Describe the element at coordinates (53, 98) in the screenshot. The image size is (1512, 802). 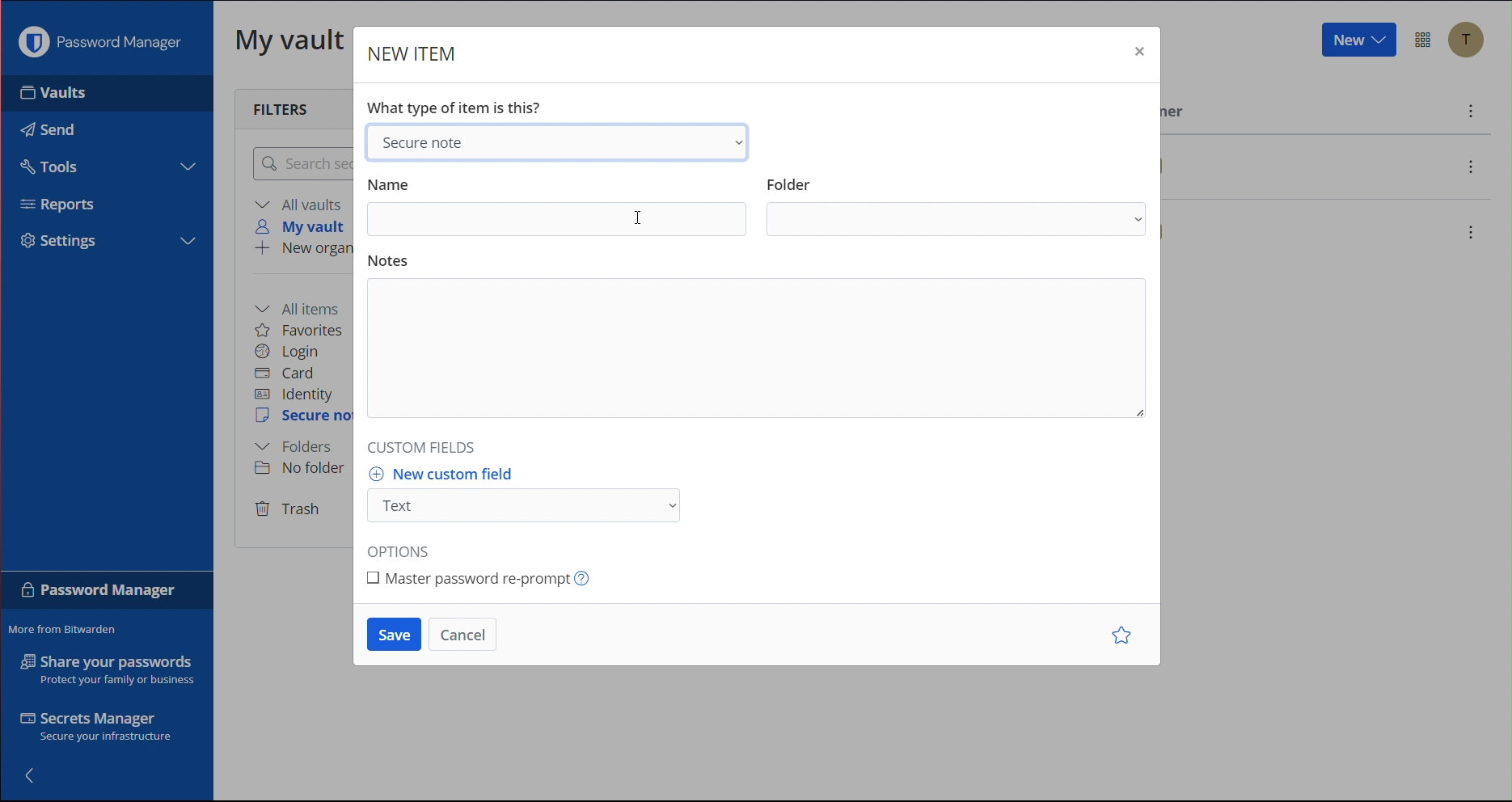
I see `Vaults` at that location.